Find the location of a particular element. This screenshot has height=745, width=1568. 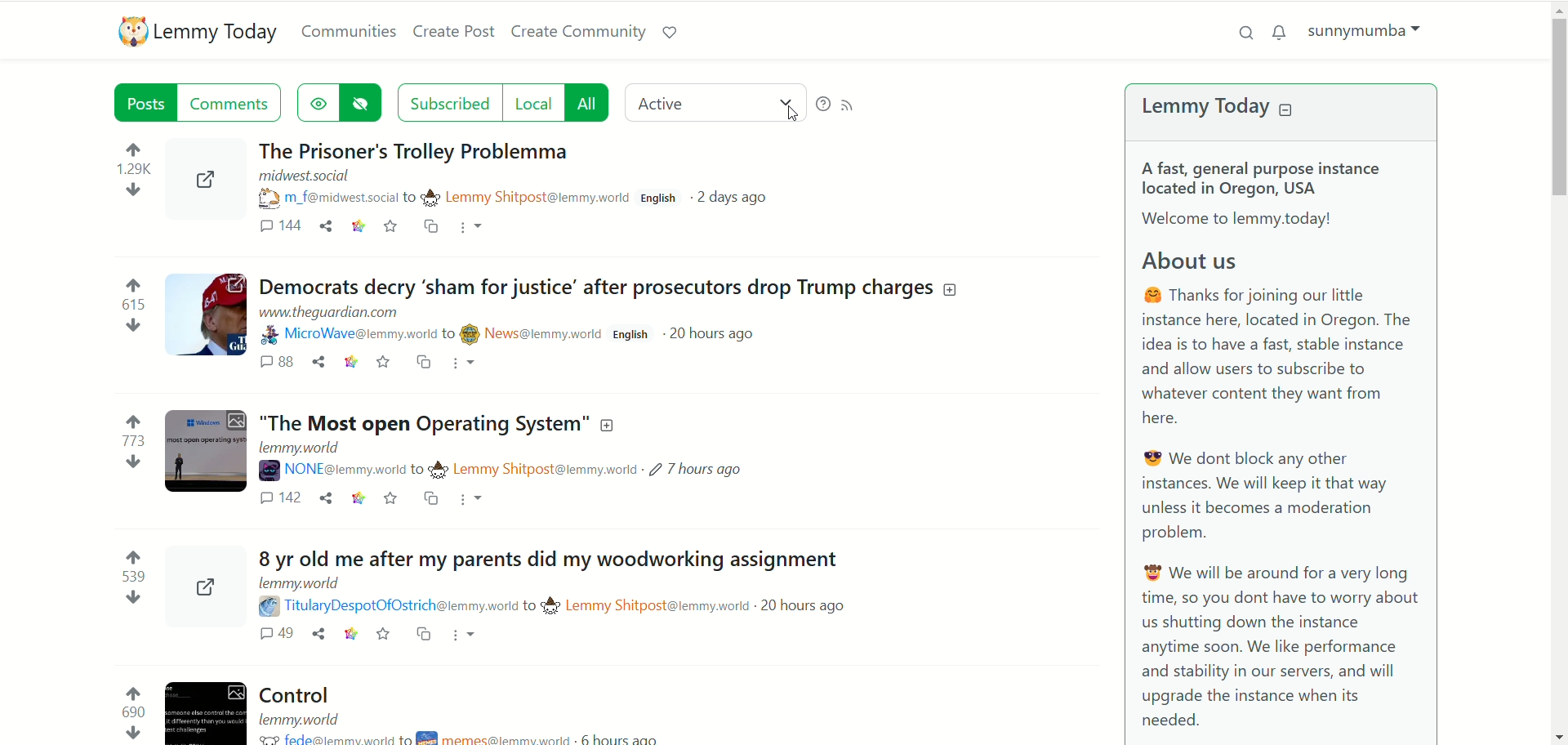

all is located at coordinates (590, 103).